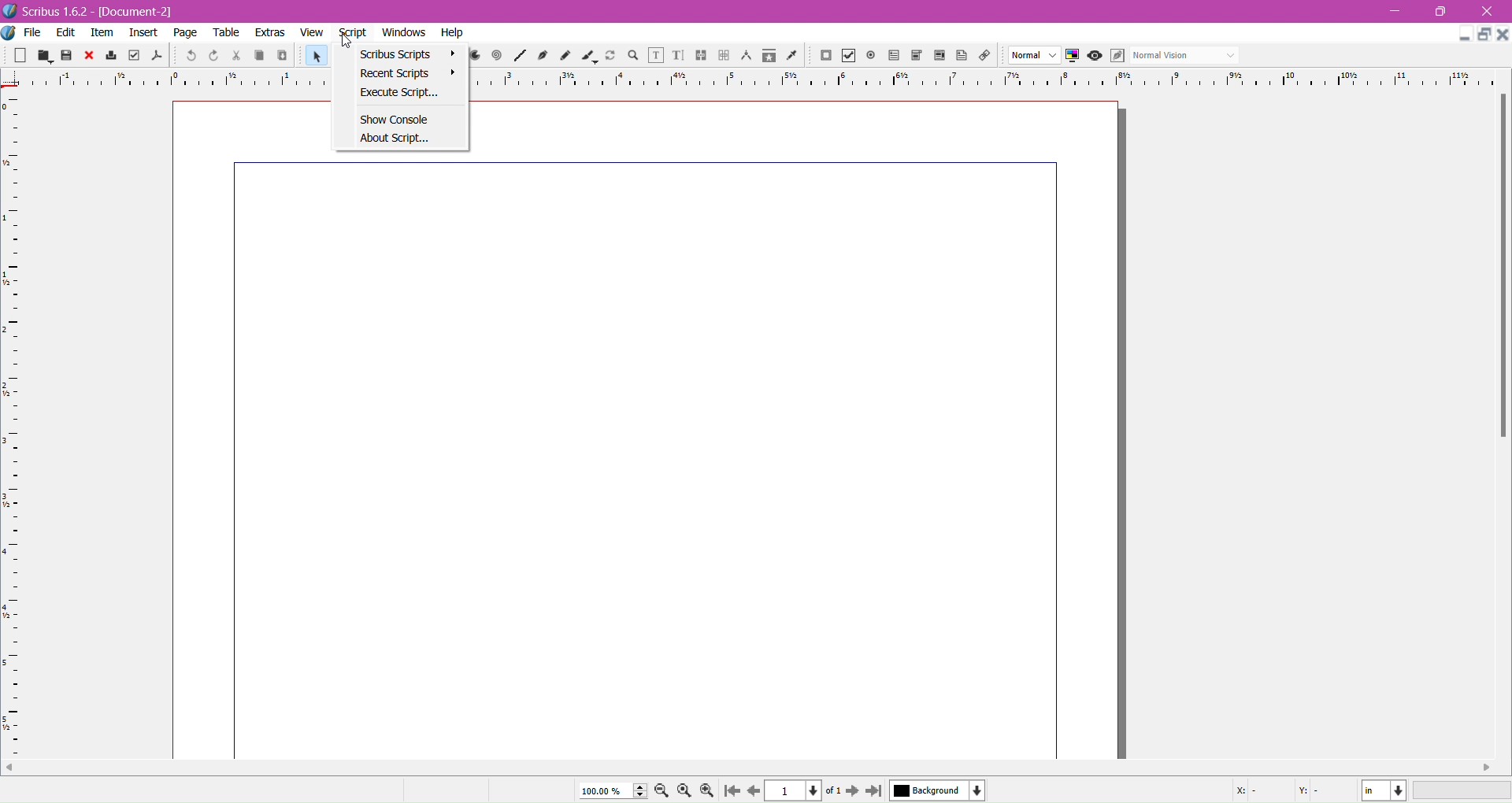 Image resolution: width=1512 pixels, height=803 pixels. What do you see at coordinates (312, 31) in the screenshot?
I see `View` at bounding box center [312, 31].